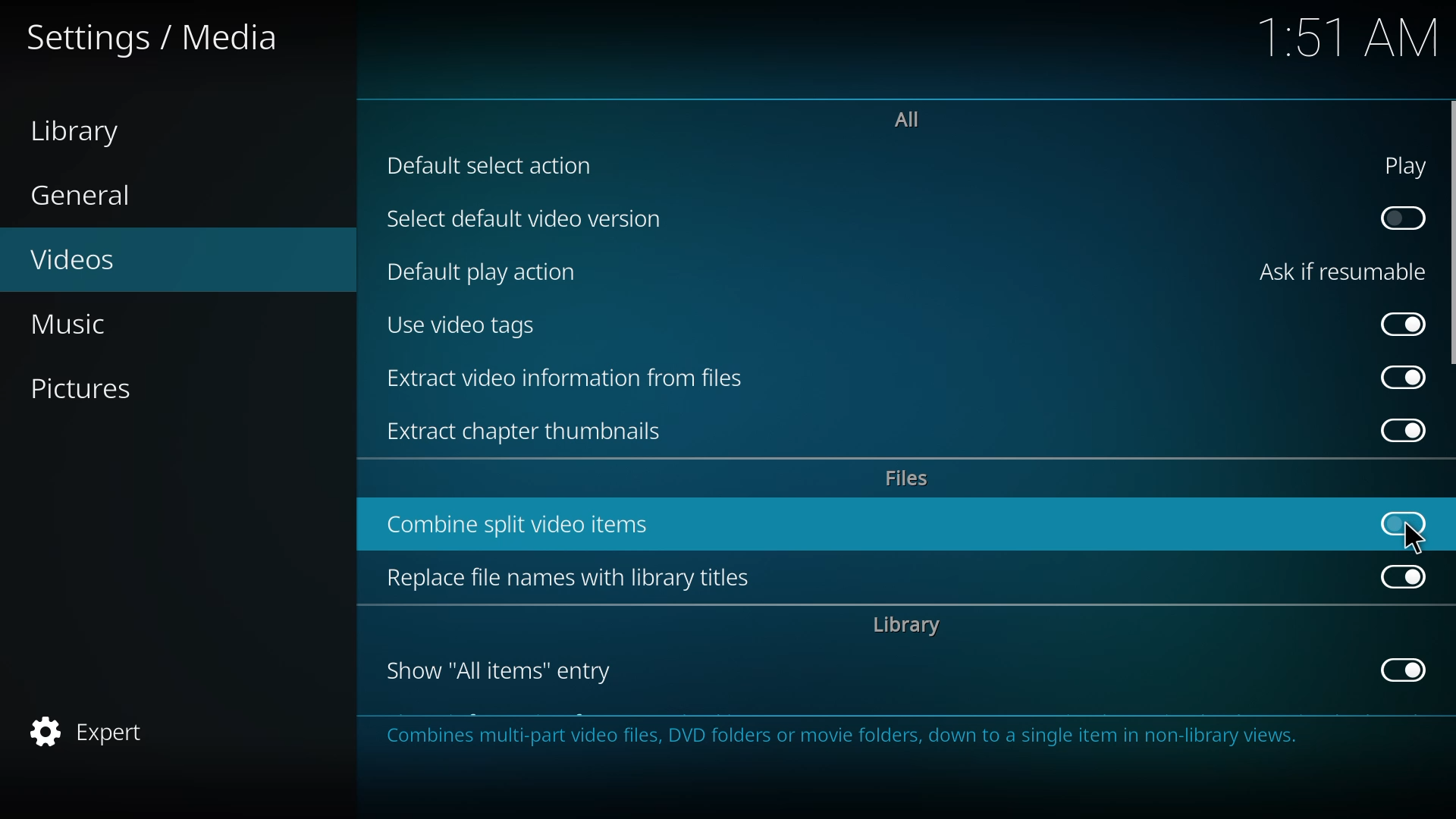 This screenshot has width=1456, height=819. I want to click on enabled, so click(1397, 430).